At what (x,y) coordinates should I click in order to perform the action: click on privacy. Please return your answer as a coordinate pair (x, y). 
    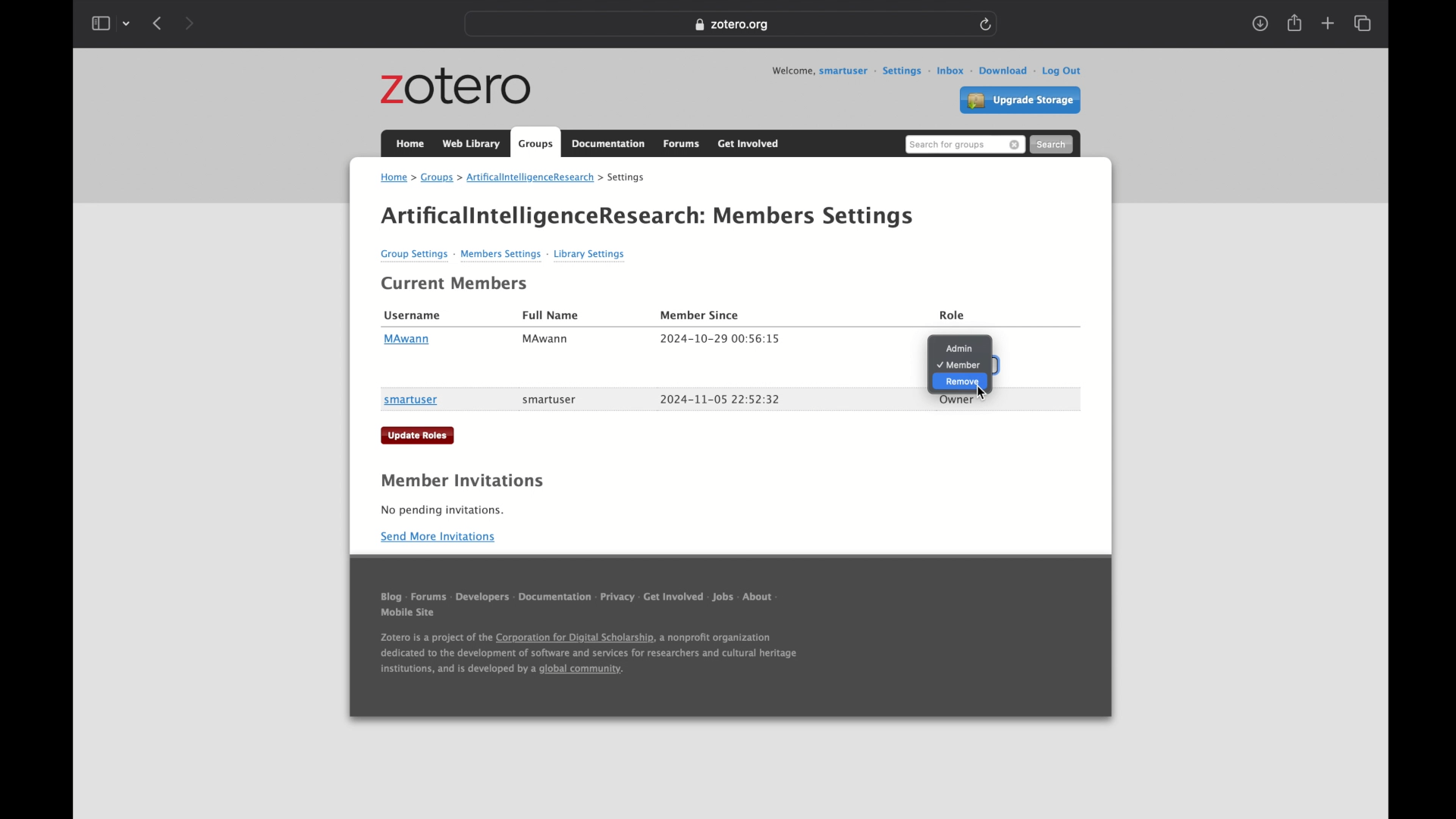
    Looking at the image, I should click on (617, 601).